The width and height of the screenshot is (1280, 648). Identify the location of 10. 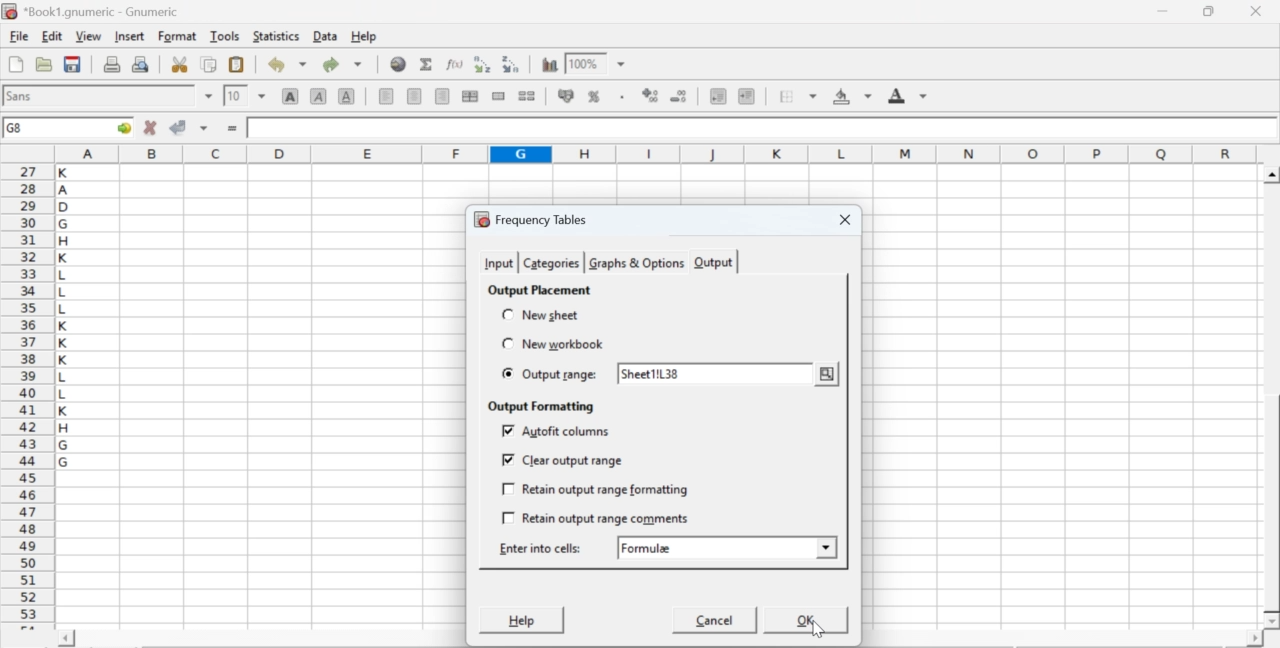
(235, 96).